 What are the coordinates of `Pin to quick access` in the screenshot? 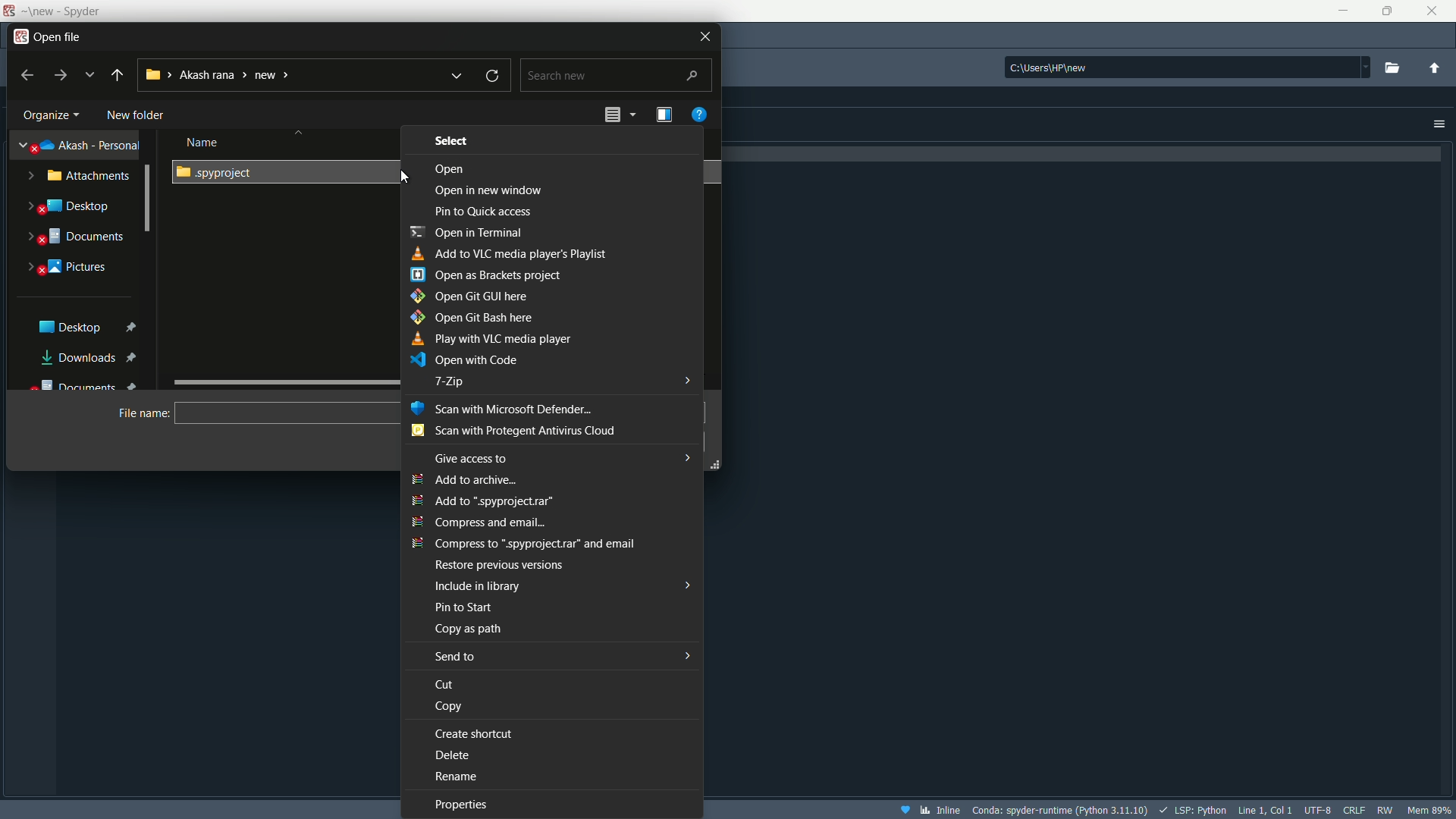 It's located at (485, 213).